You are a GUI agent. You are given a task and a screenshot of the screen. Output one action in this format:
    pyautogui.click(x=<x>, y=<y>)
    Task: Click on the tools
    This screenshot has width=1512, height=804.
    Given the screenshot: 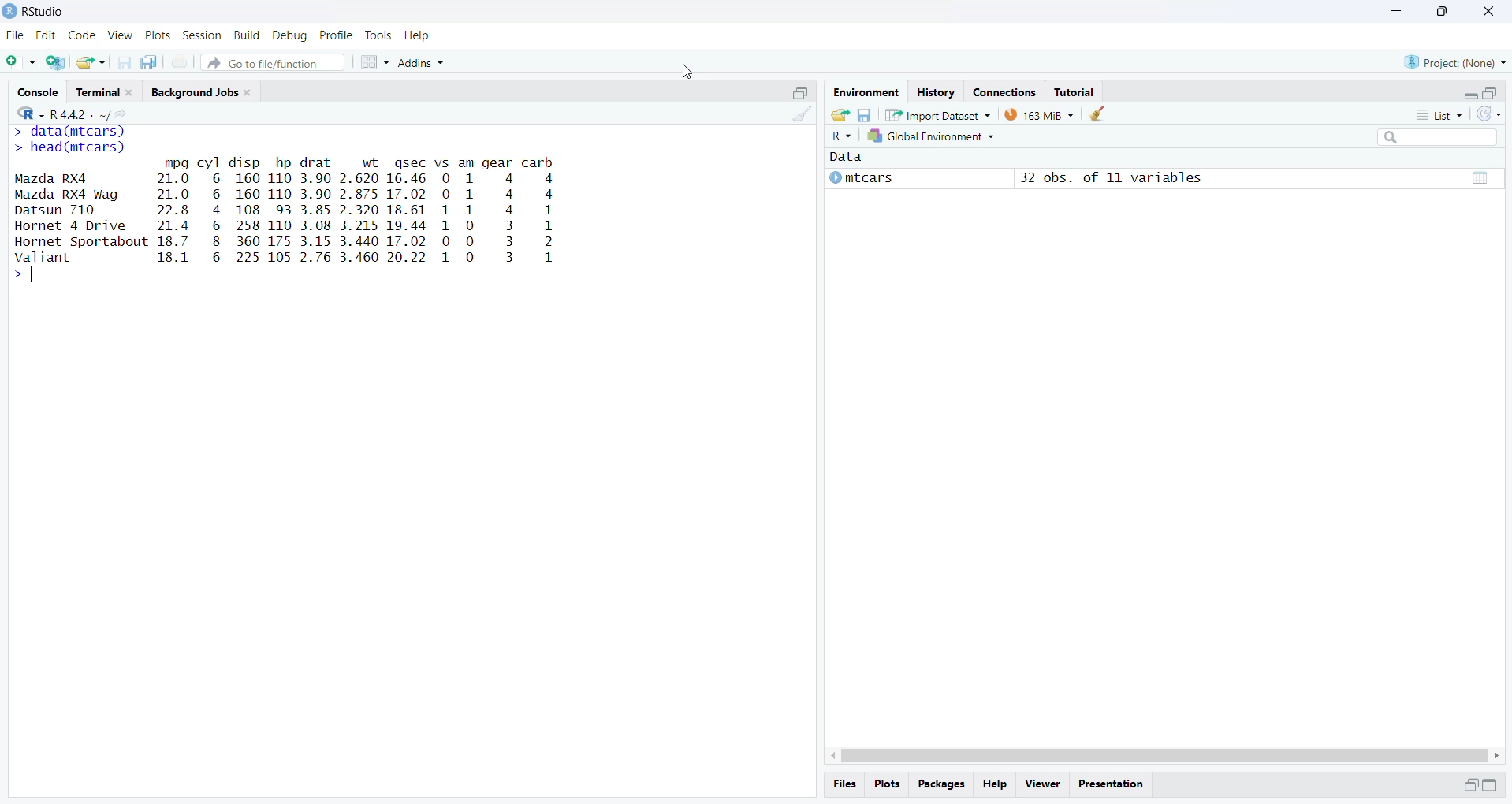 What is the action you would take?
    pyautogui.click(x=379, y=35)
    